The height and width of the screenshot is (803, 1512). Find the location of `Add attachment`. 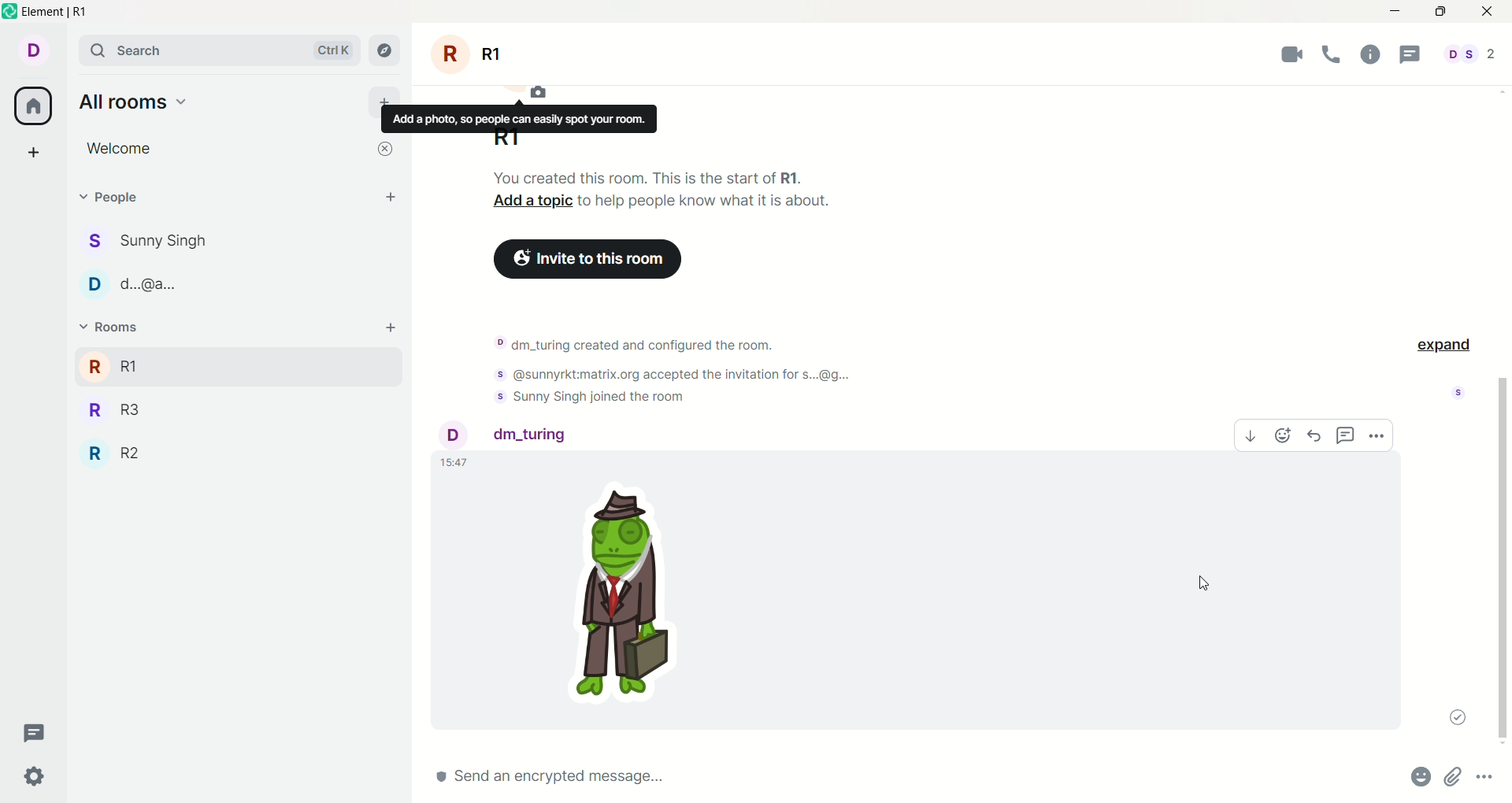

Add attachment is located at coordinates (1453, 776).